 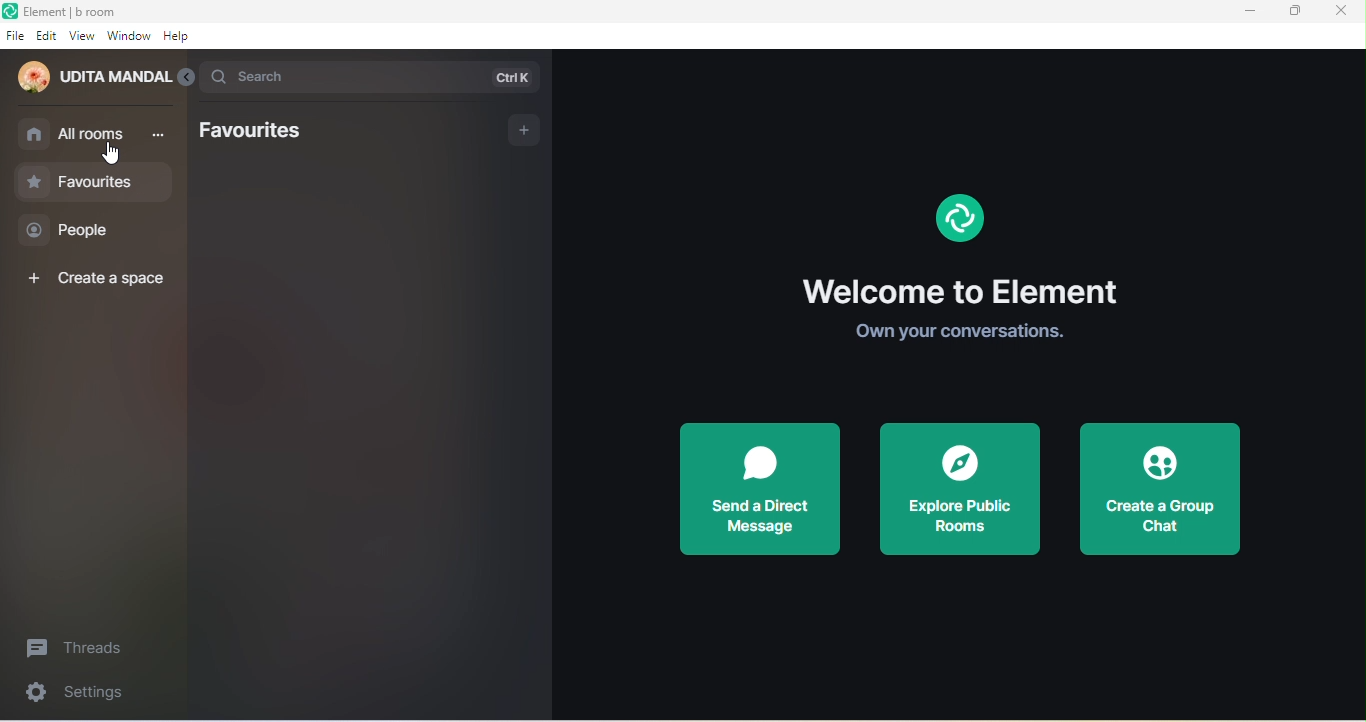 What do you see at coordinates (94, 181) in the screenshot?
I see `favourites` at bounding box center [94, 181].